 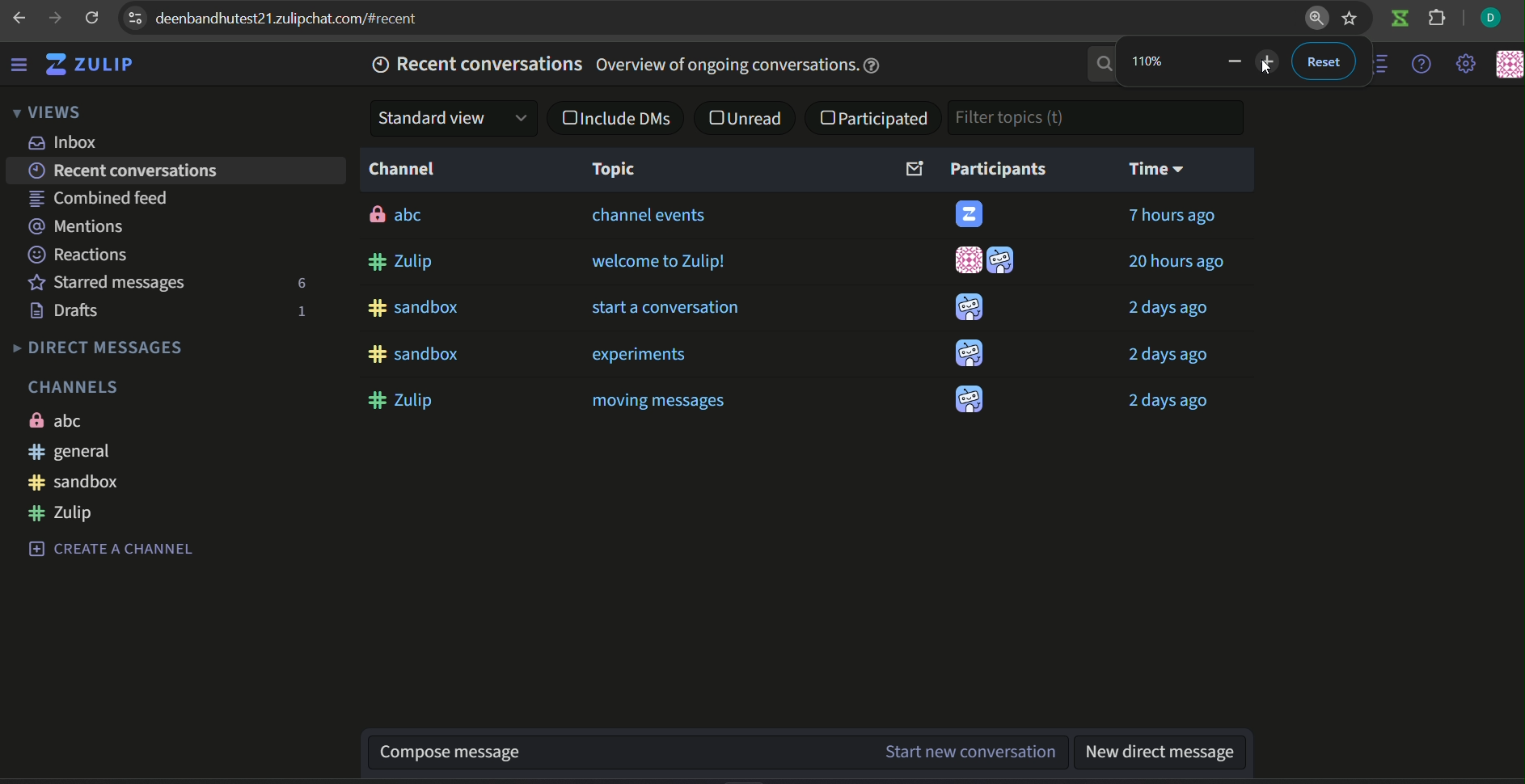 I want to click on zoom, so click(x=1313, y=20).